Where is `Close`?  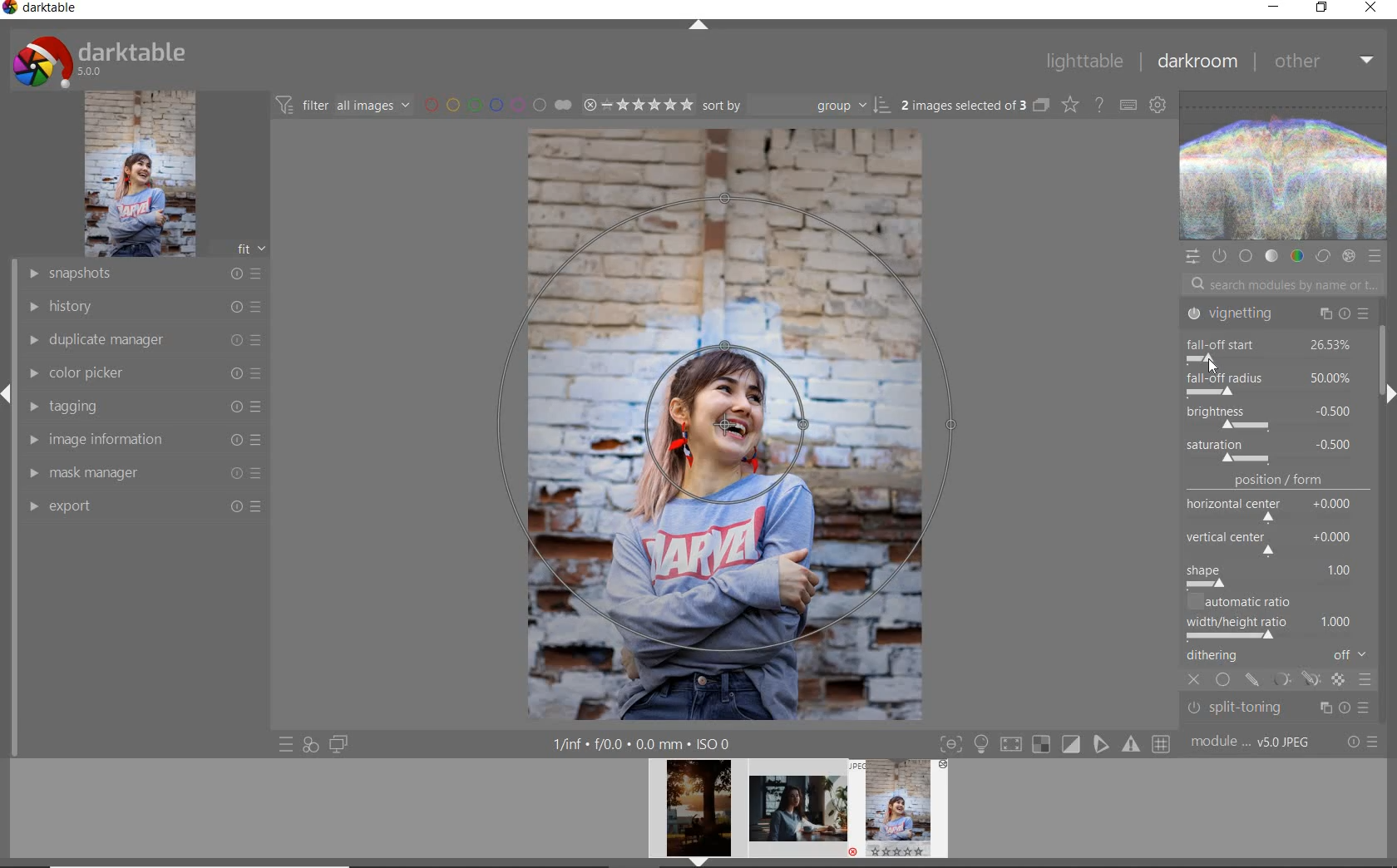
Close is located at coordinates (1208, 360).